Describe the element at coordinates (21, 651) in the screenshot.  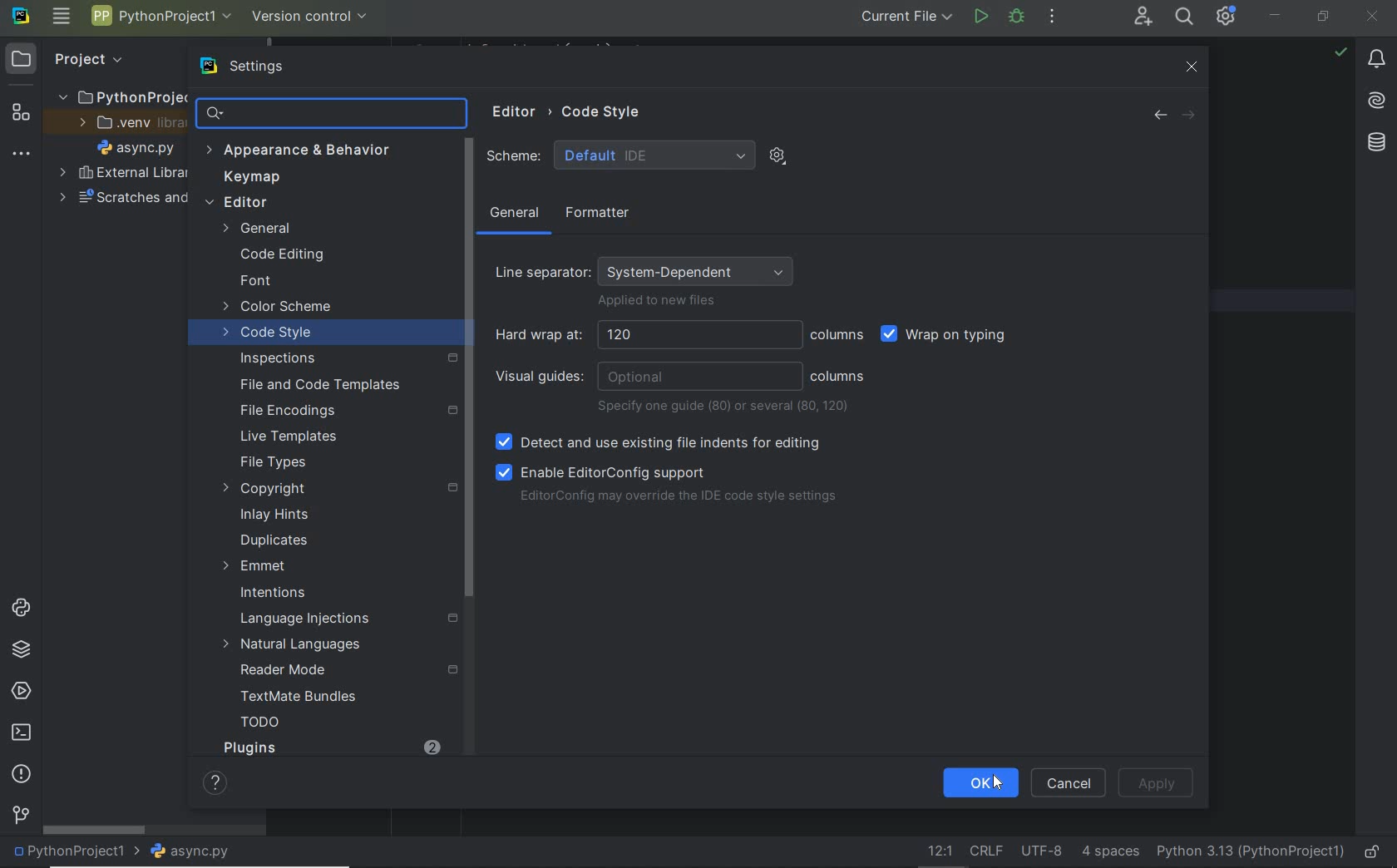
I see `python packages` at that location.